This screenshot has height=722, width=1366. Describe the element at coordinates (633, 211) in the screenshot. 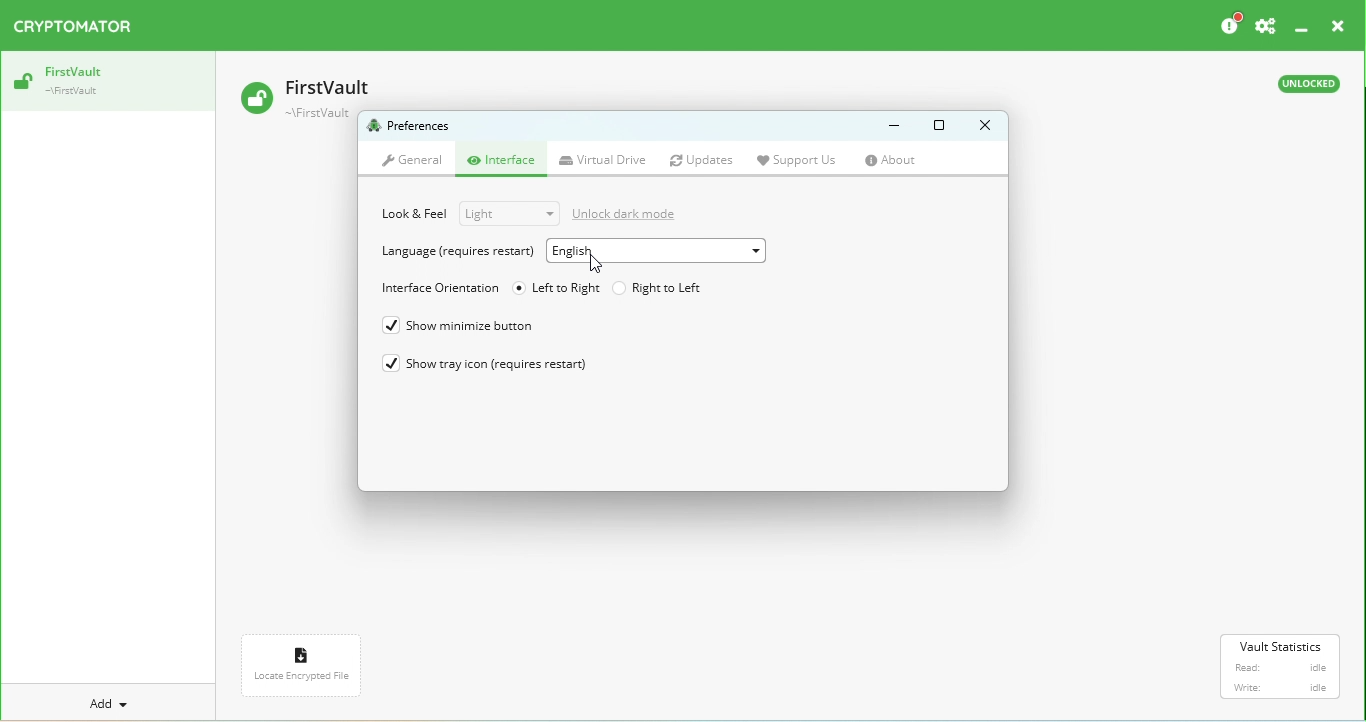

I see `Unlock dark mode` at that location.